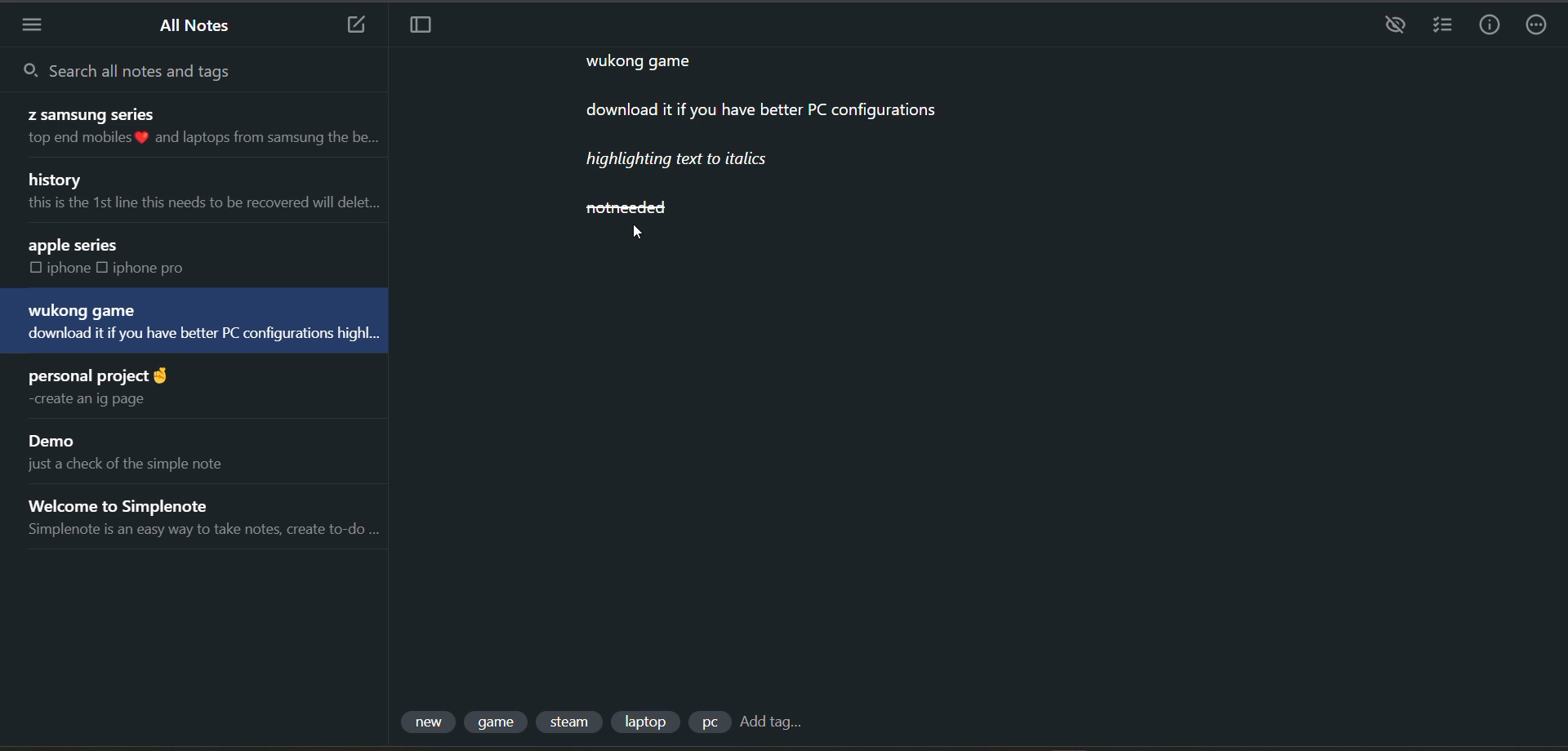 This screenshot has width=1568, height=751. What do you see at coordinates (198, 187) in the screenshot?
I see `note title and preview` at bounding box center [198, 187].